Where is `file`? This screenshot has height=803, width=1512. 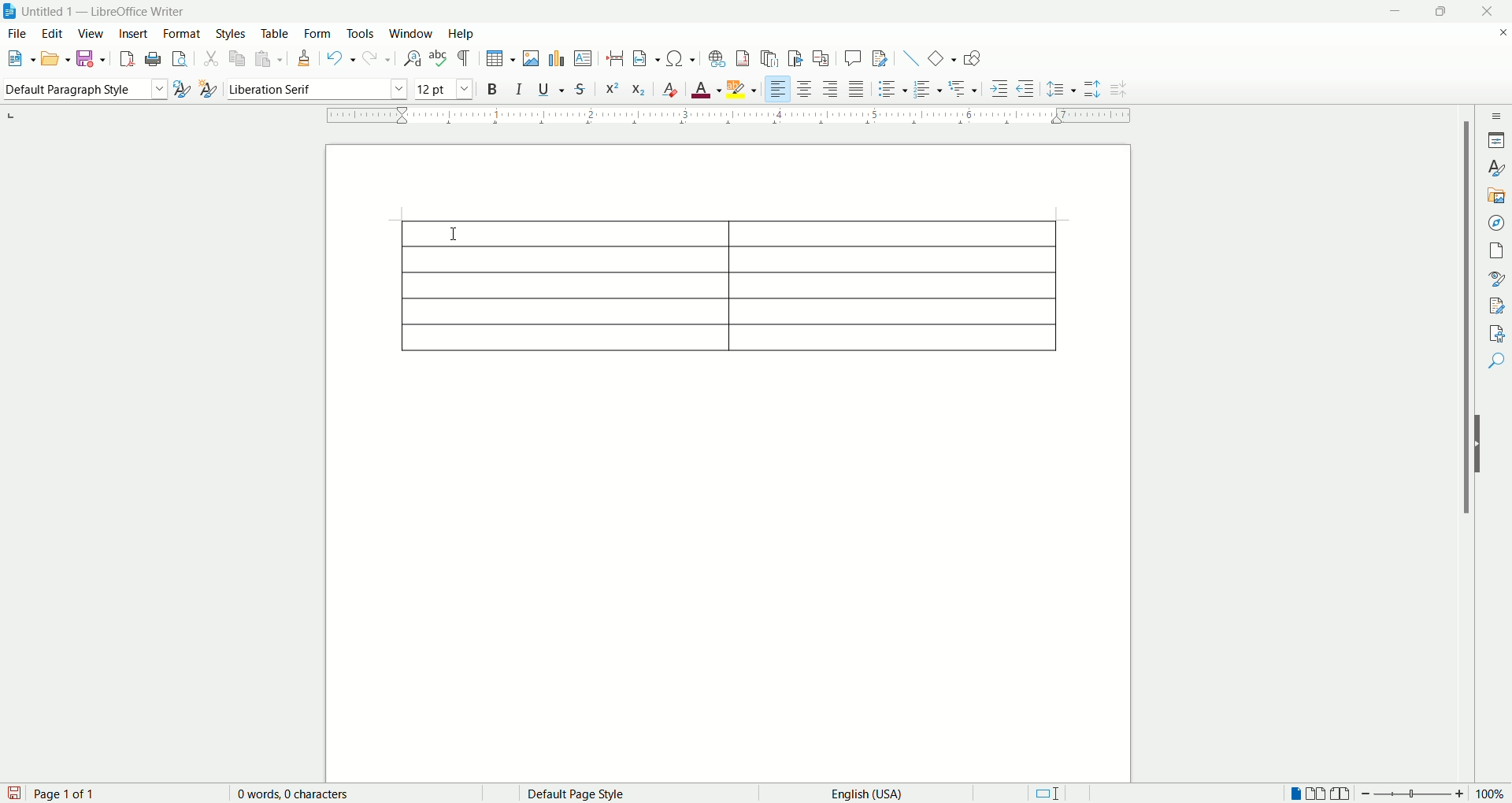 file is located at coordinates (17, 34).